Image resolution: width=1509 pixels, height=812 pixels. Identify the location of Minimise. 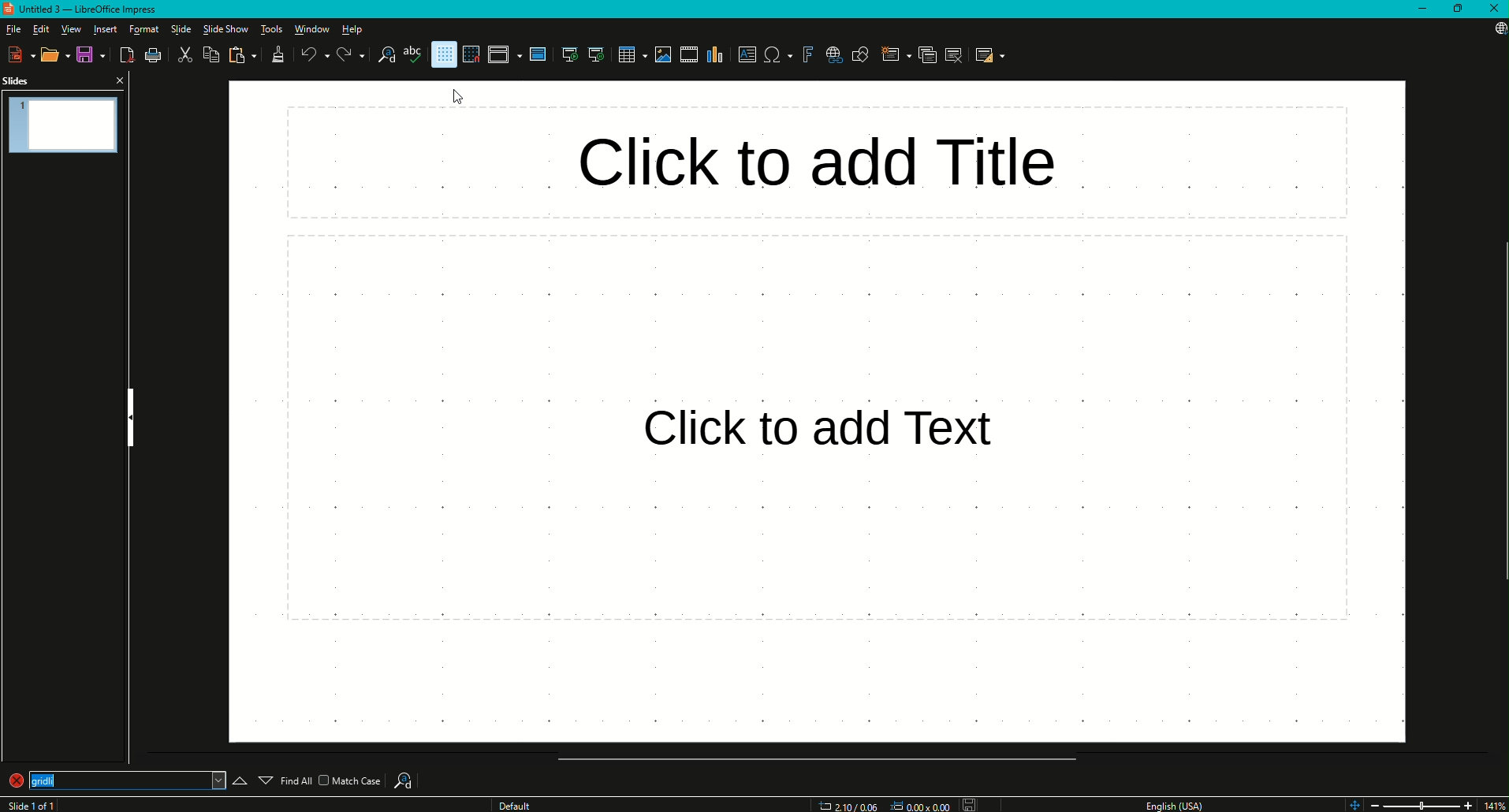
(1421, 9).